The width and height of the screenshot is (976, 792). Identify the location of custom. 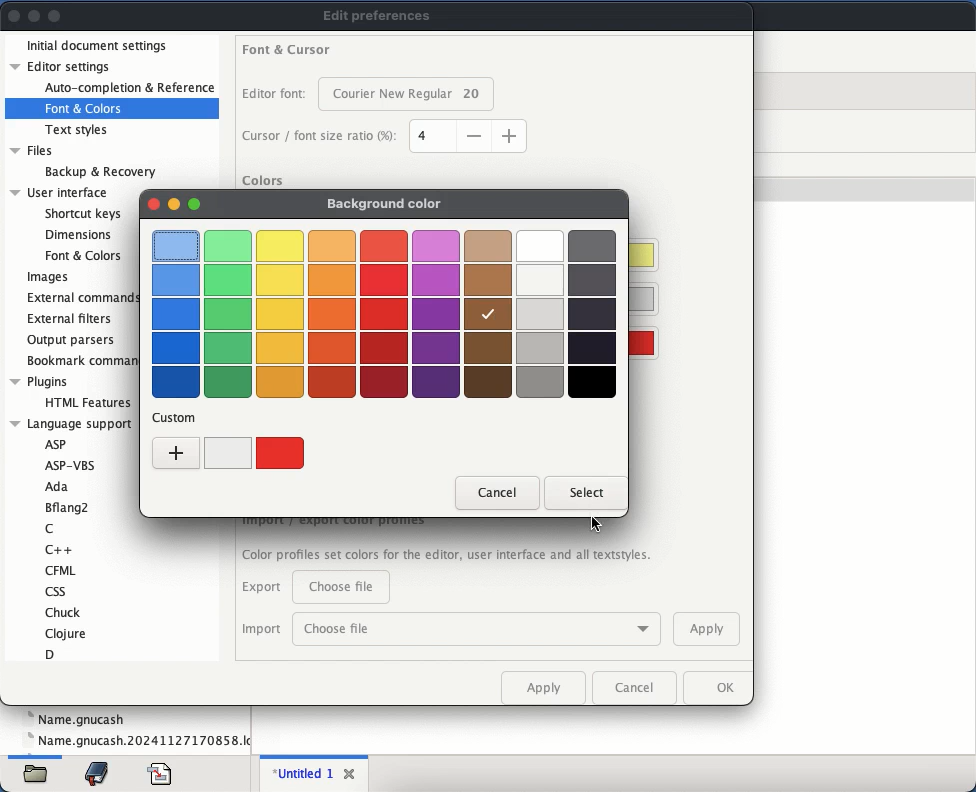
(177, 417).